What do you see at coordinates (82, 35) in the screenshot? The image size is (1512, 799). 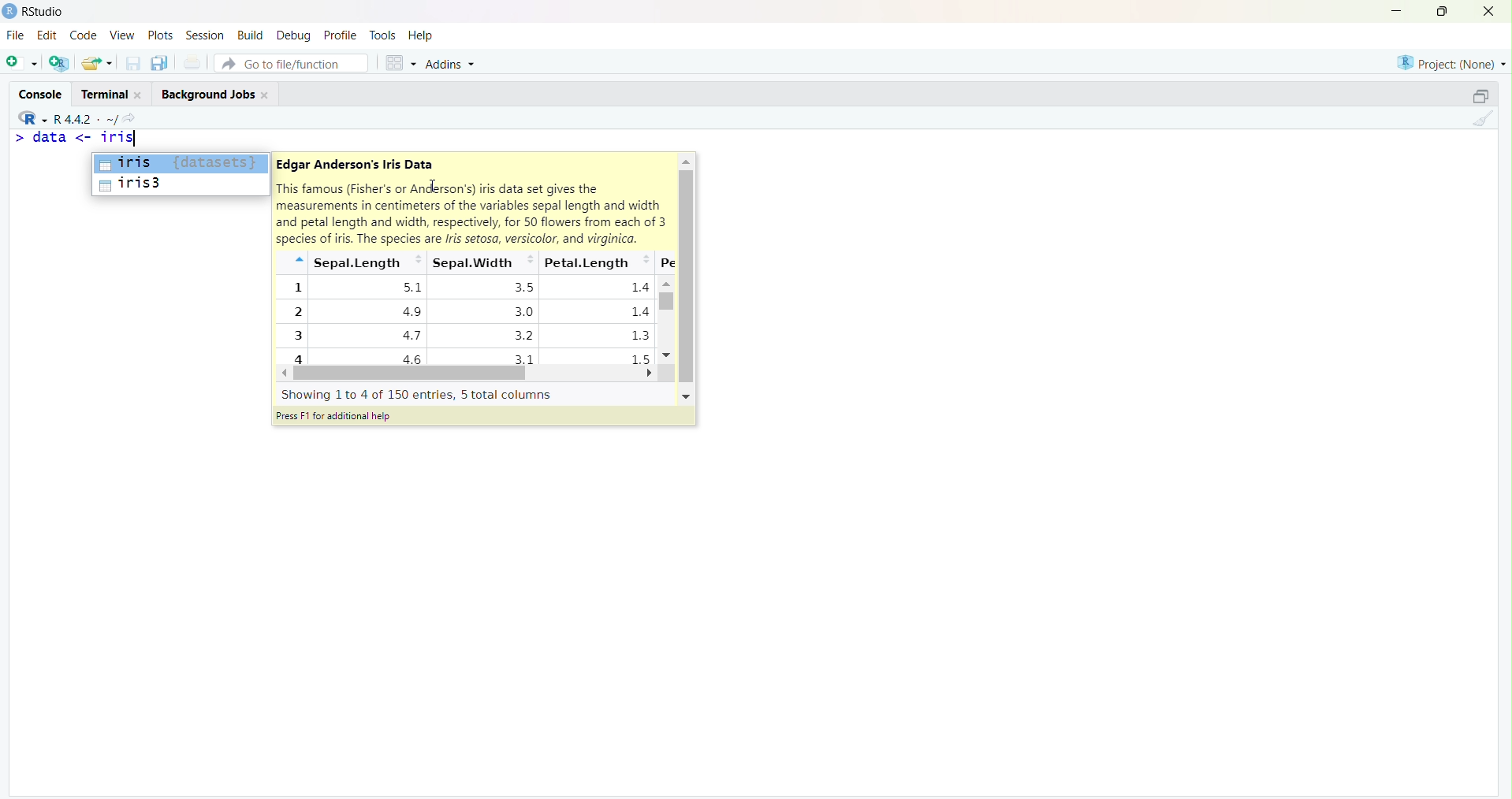 I see `Code` at bounding box center [82, 35].